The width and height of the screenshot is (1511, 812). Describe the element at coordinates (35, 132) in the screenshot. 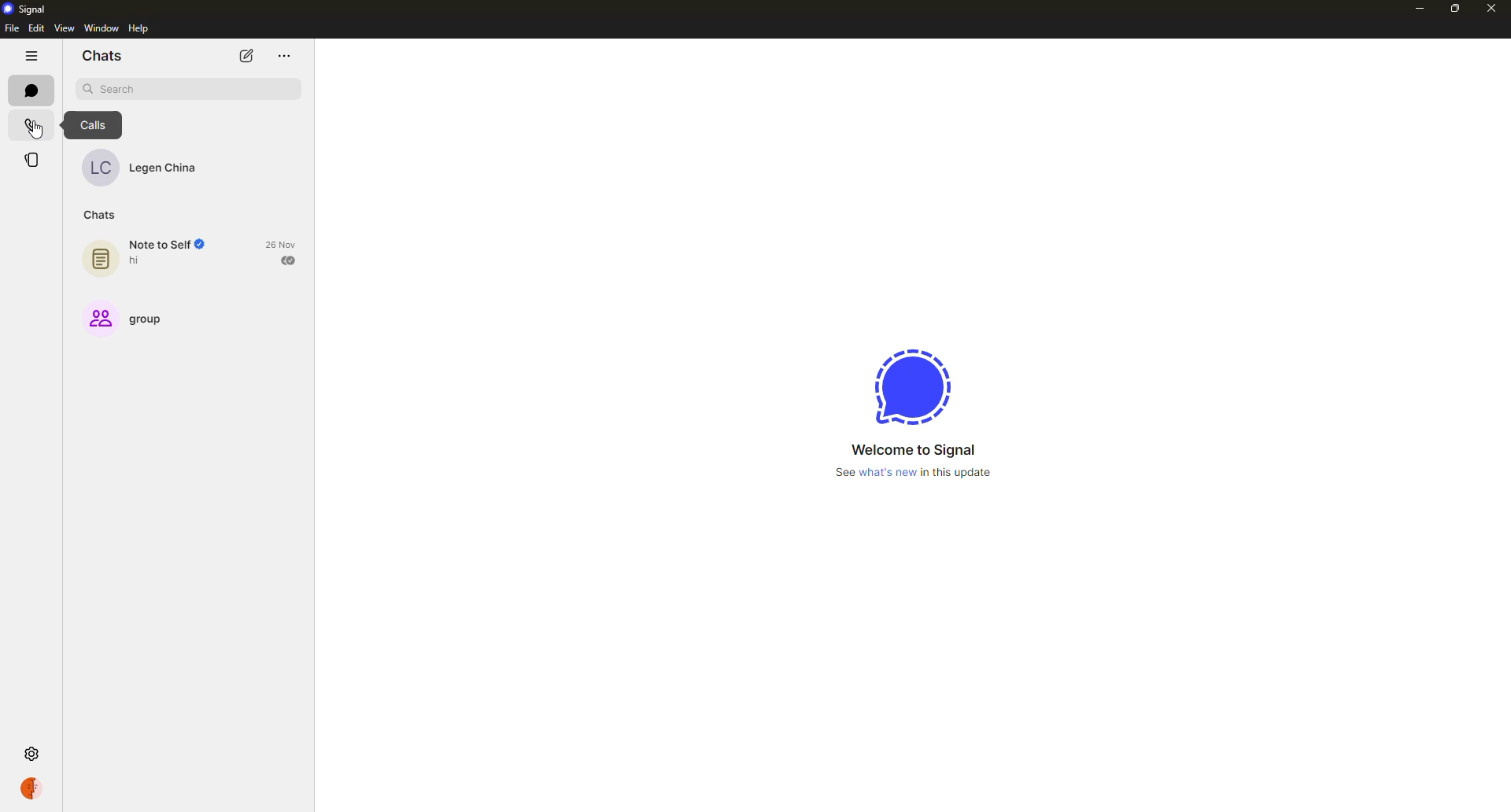

I see `cursor` at that location.